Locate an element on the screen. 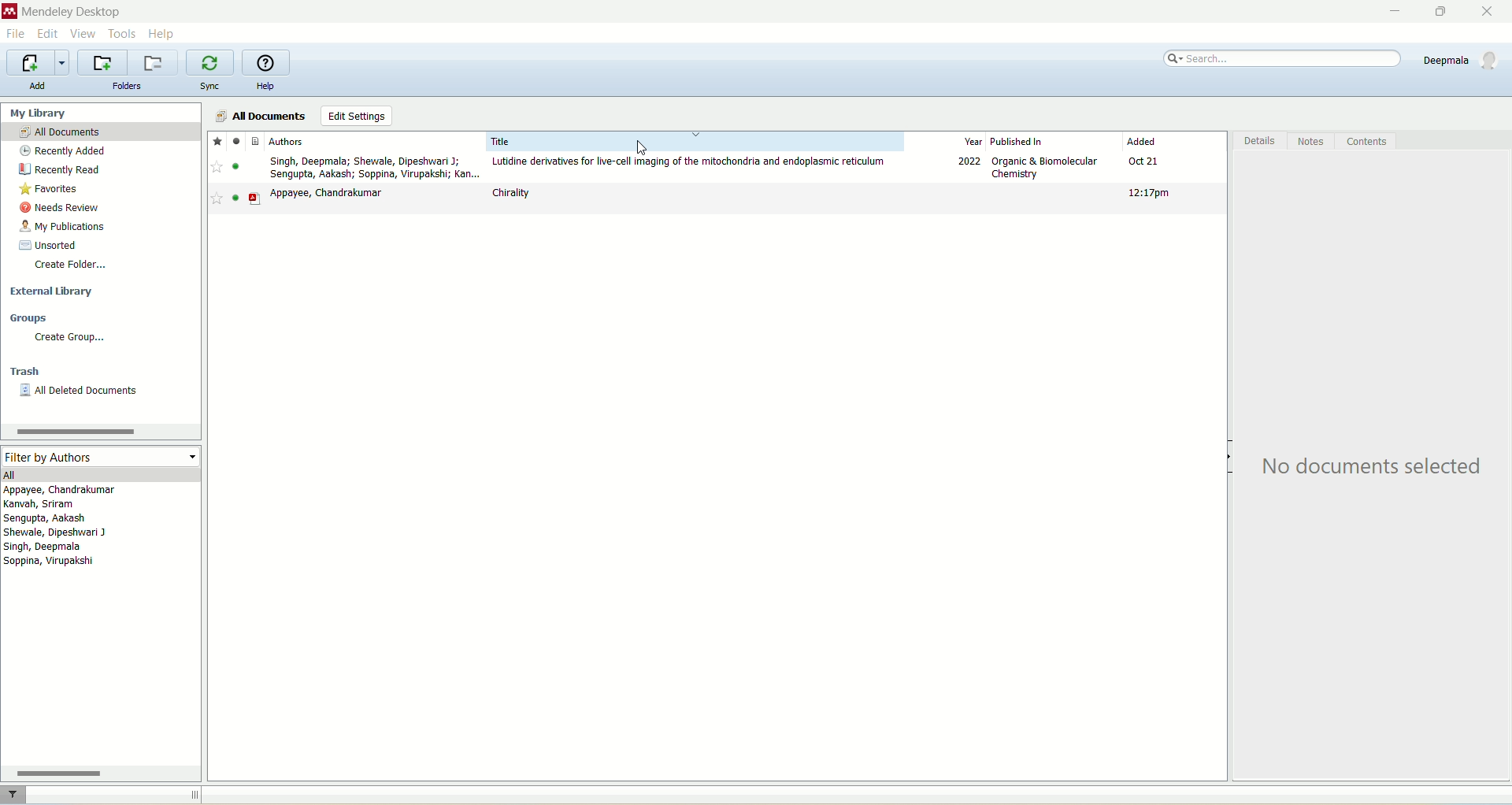  synchronize your library with mendeley web is located at coordinates (210, 62).